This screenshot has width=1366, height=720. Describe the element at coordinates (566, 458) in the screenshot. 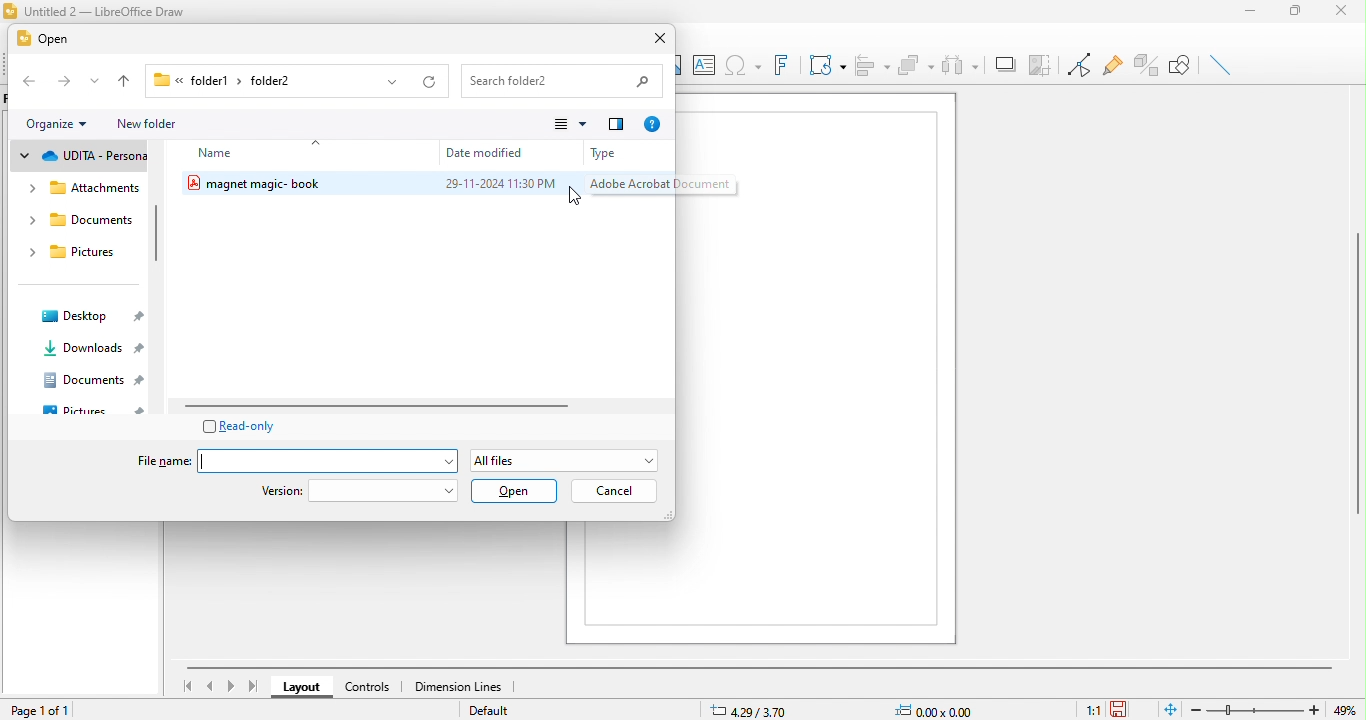

I see `all files` at that location.